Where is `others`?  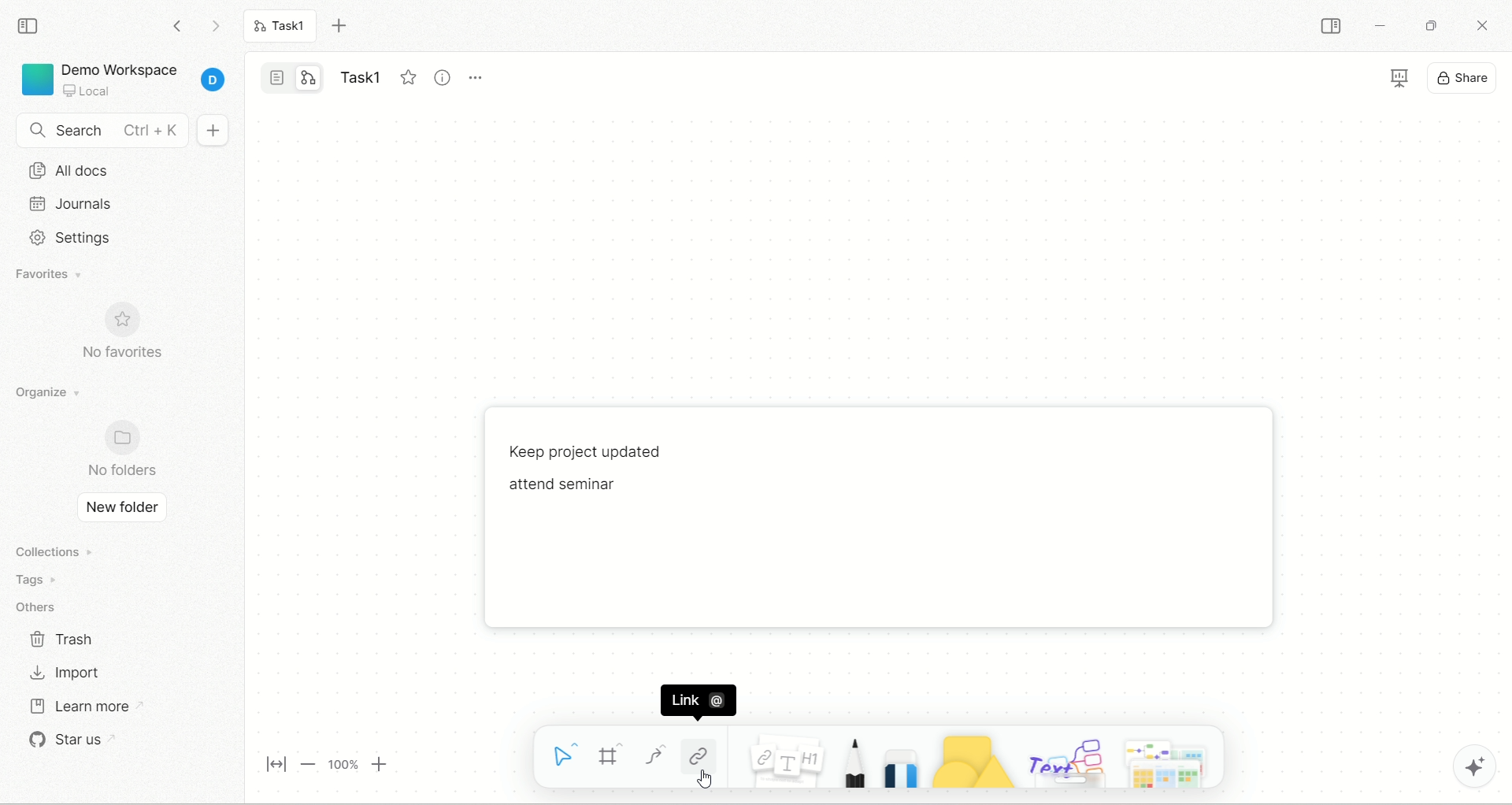
others is located at coordinates (1065, 760).